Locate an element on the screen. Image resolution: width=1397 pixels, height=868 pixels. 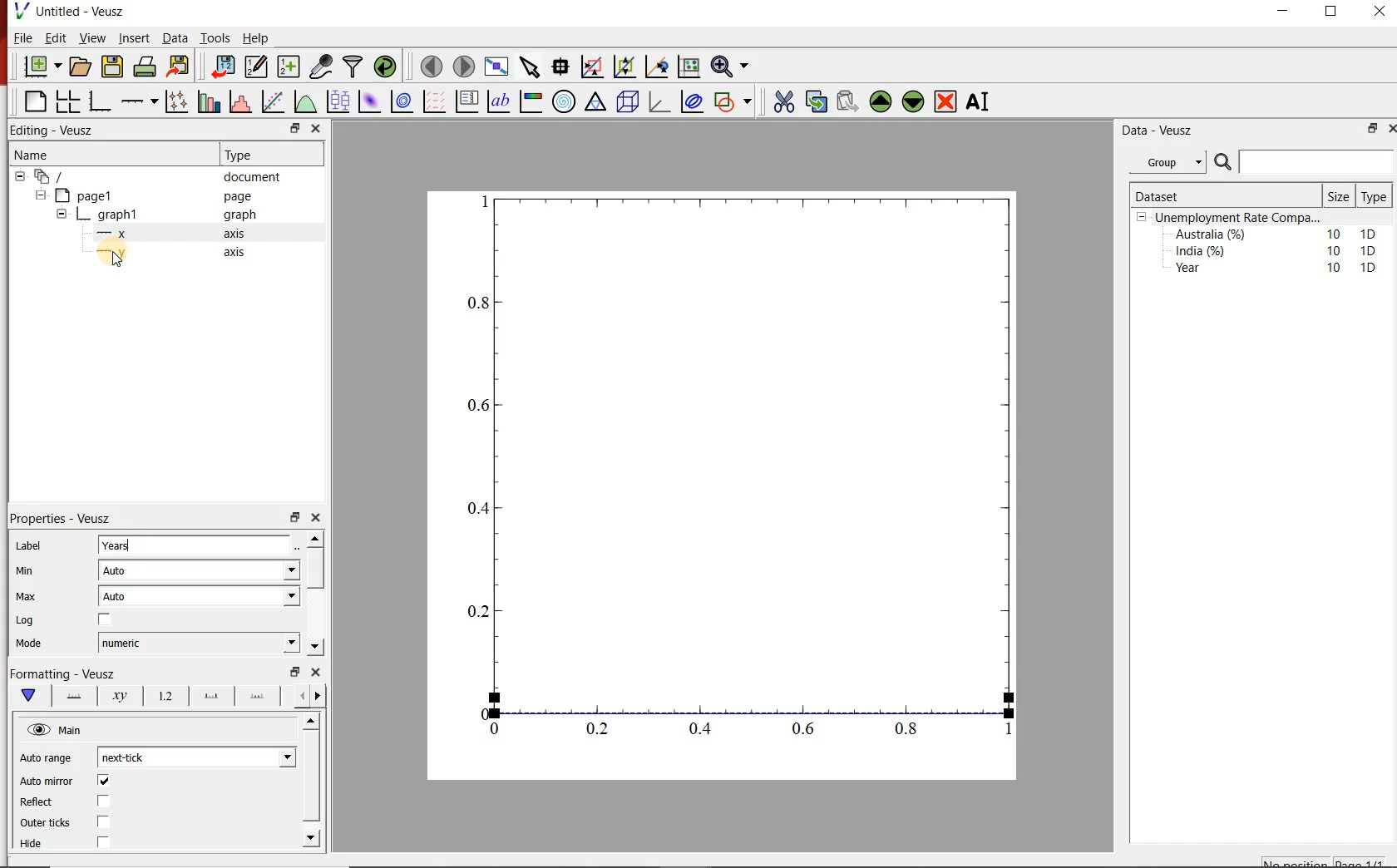
hide/unhide is located at coordinates (38, 729).